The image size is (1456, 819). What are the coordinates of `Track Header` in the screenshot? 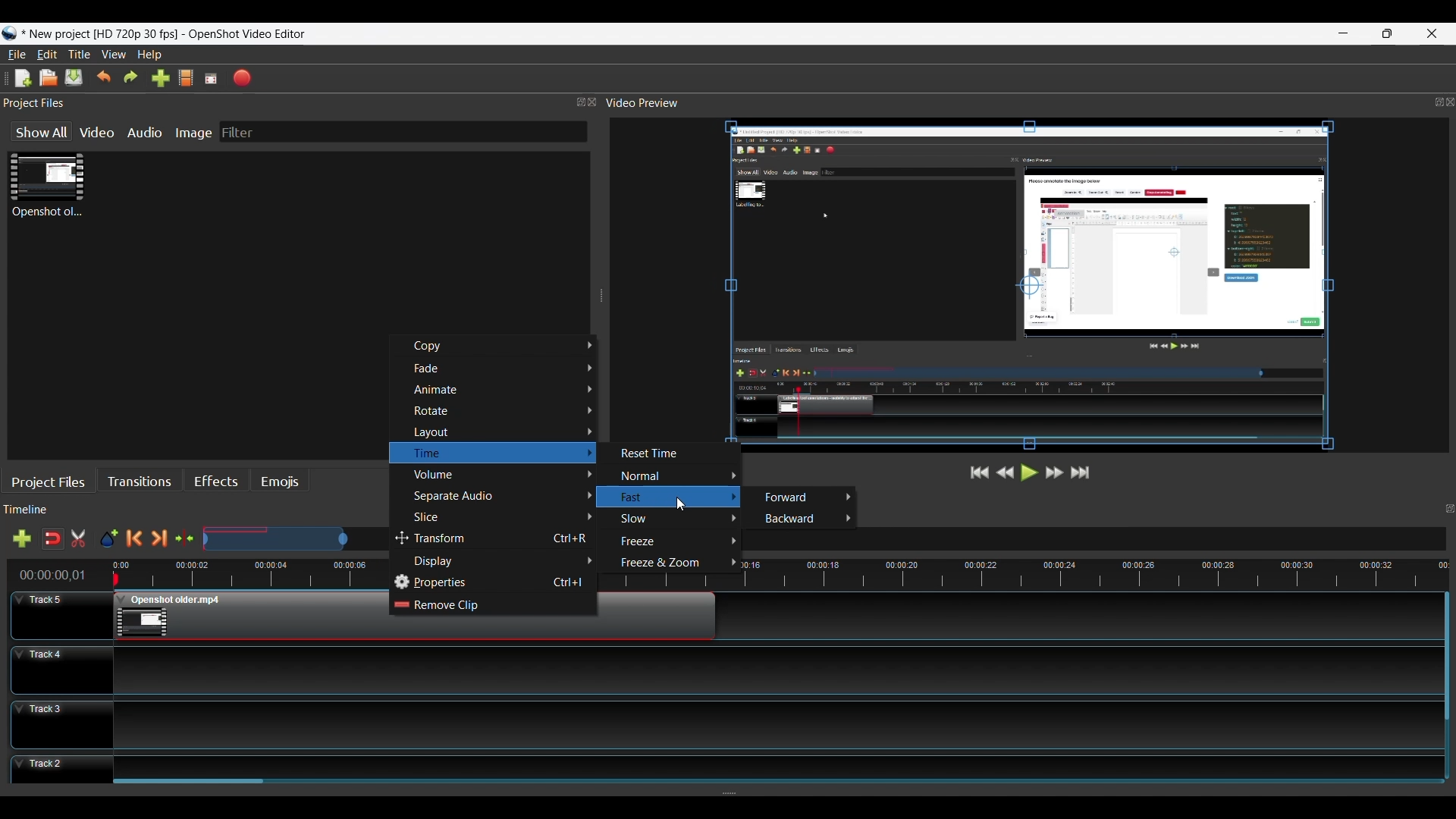 It's located at (57, 613).